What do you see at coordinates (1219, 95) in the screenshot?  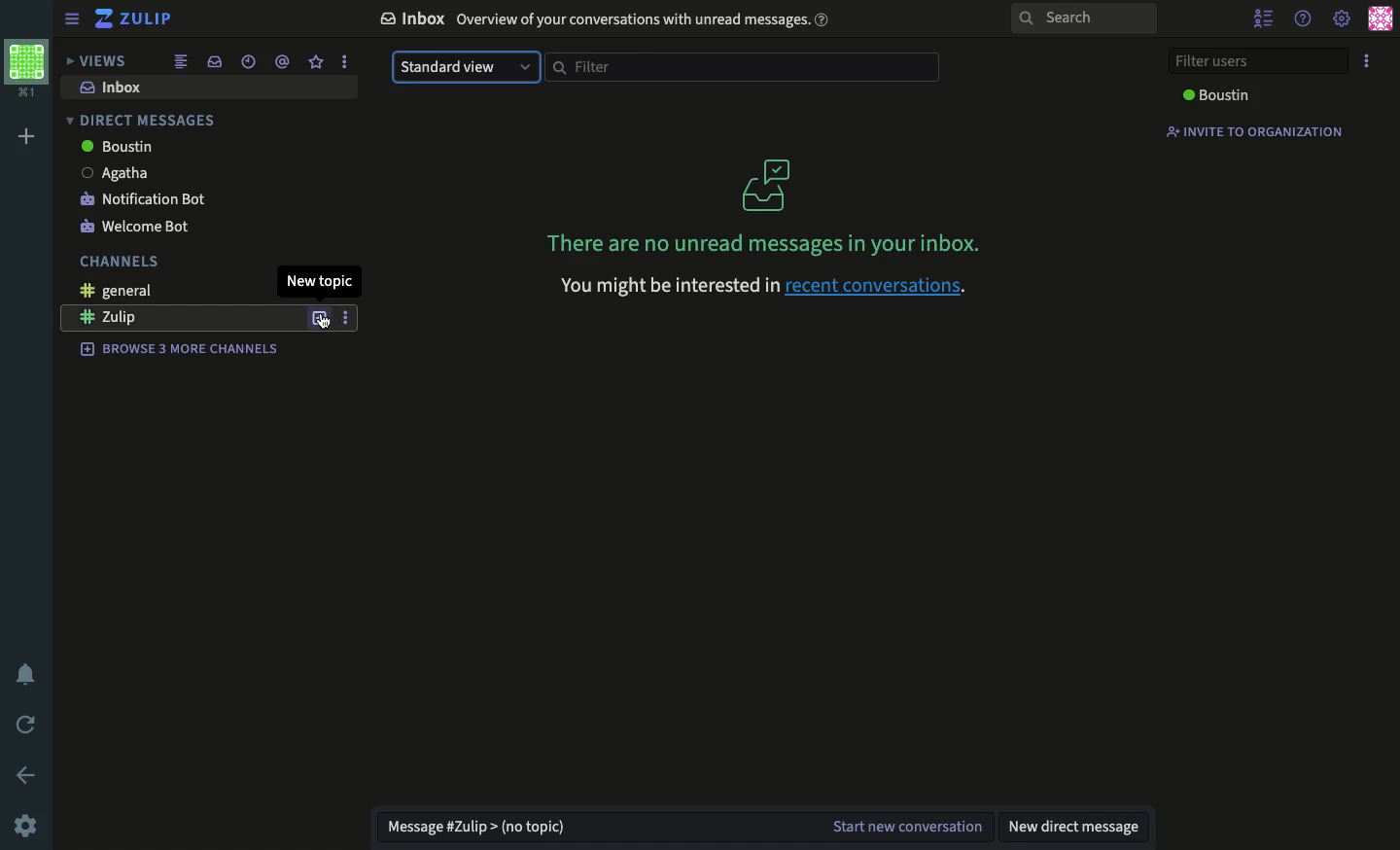 I see `Boustin` at bounding box center [1219, 95].